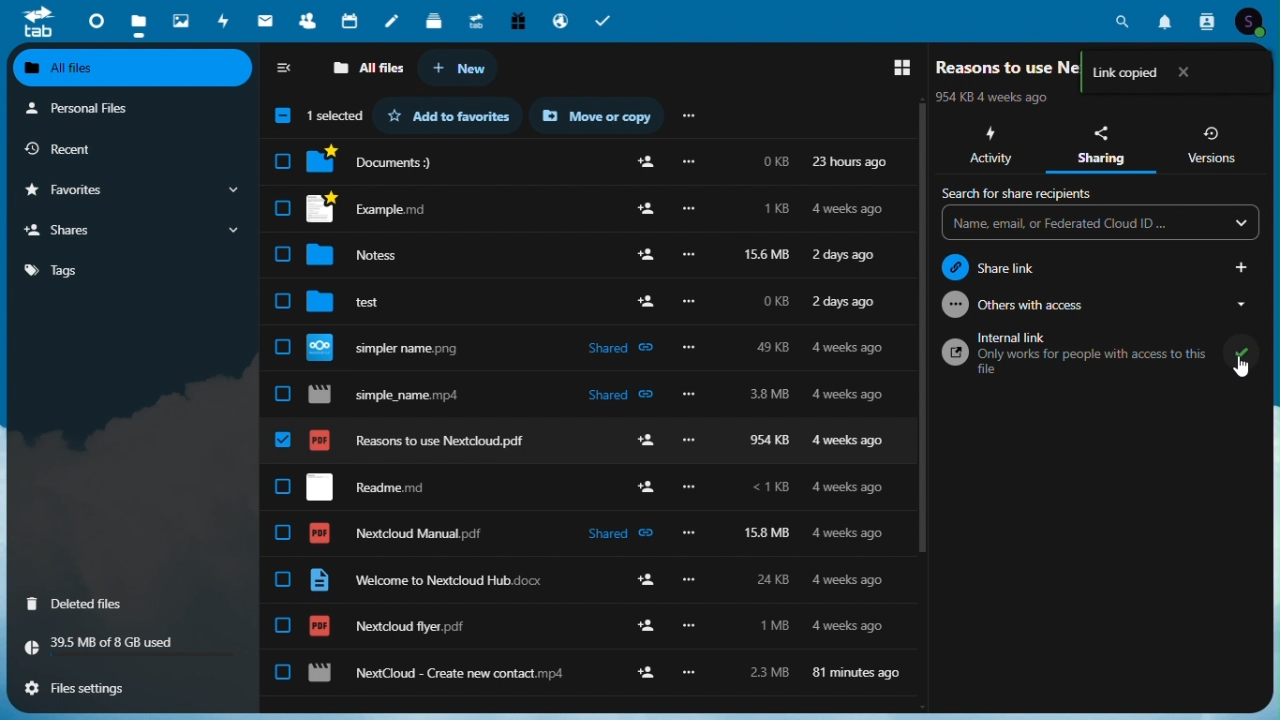  Describe the element at coordinates (286, 163) in the screenshot. I see `check box` at that location.